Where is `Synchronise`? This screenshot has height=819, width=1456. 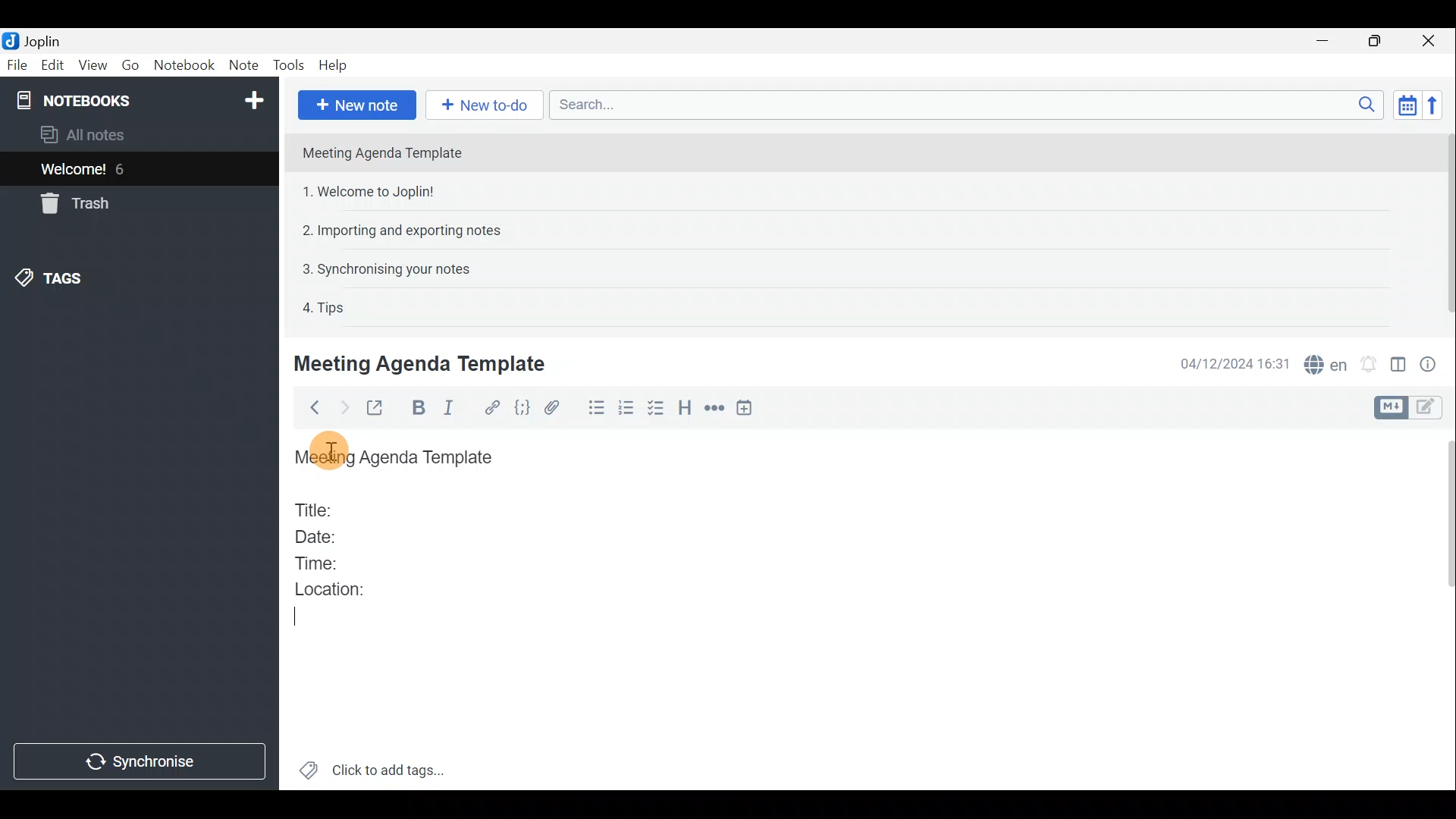
Synchronise is located at coordinates (140, 761).